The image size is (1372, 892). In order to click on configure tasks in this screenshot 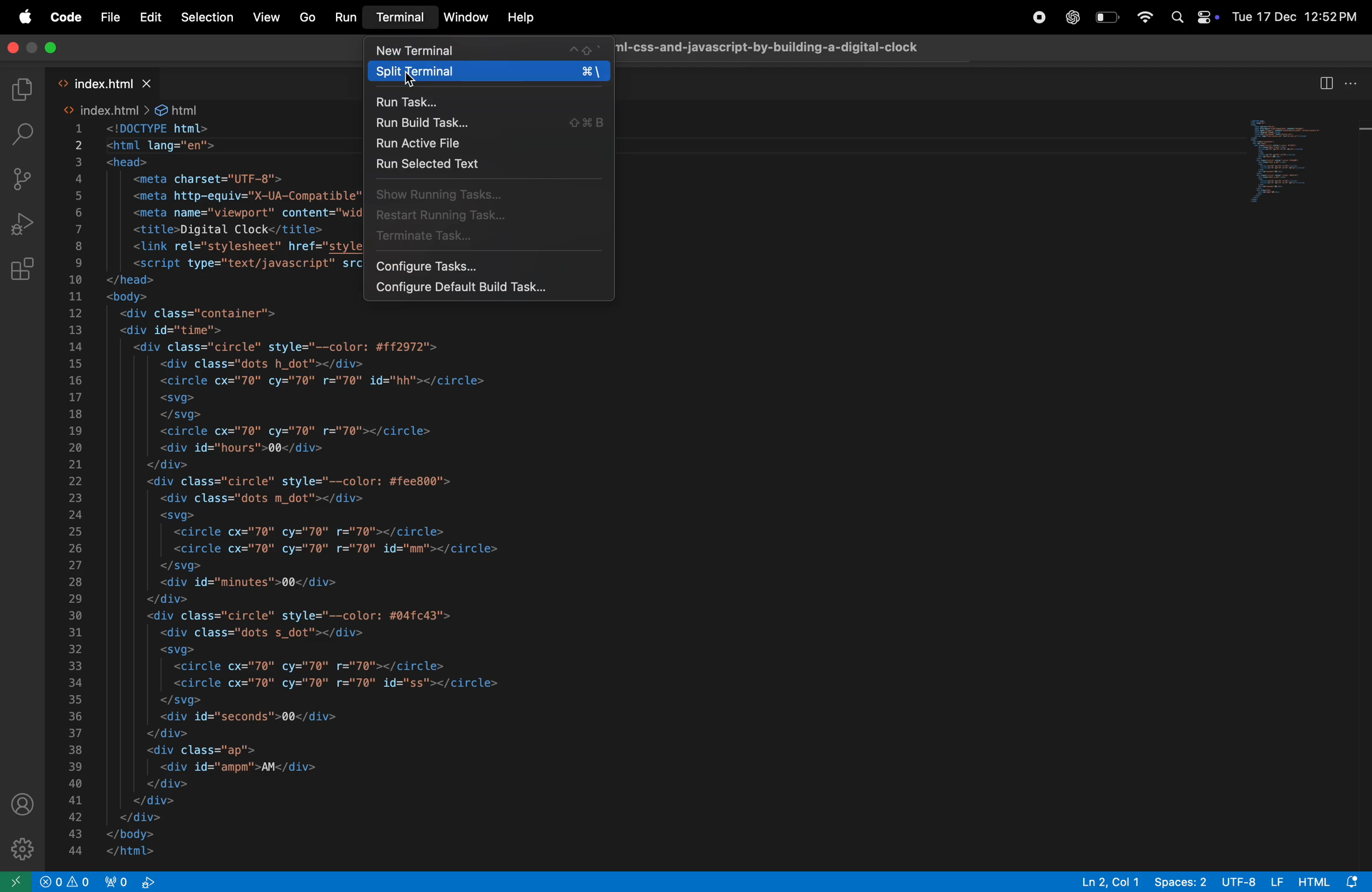, I will do `click(492, 267)`.